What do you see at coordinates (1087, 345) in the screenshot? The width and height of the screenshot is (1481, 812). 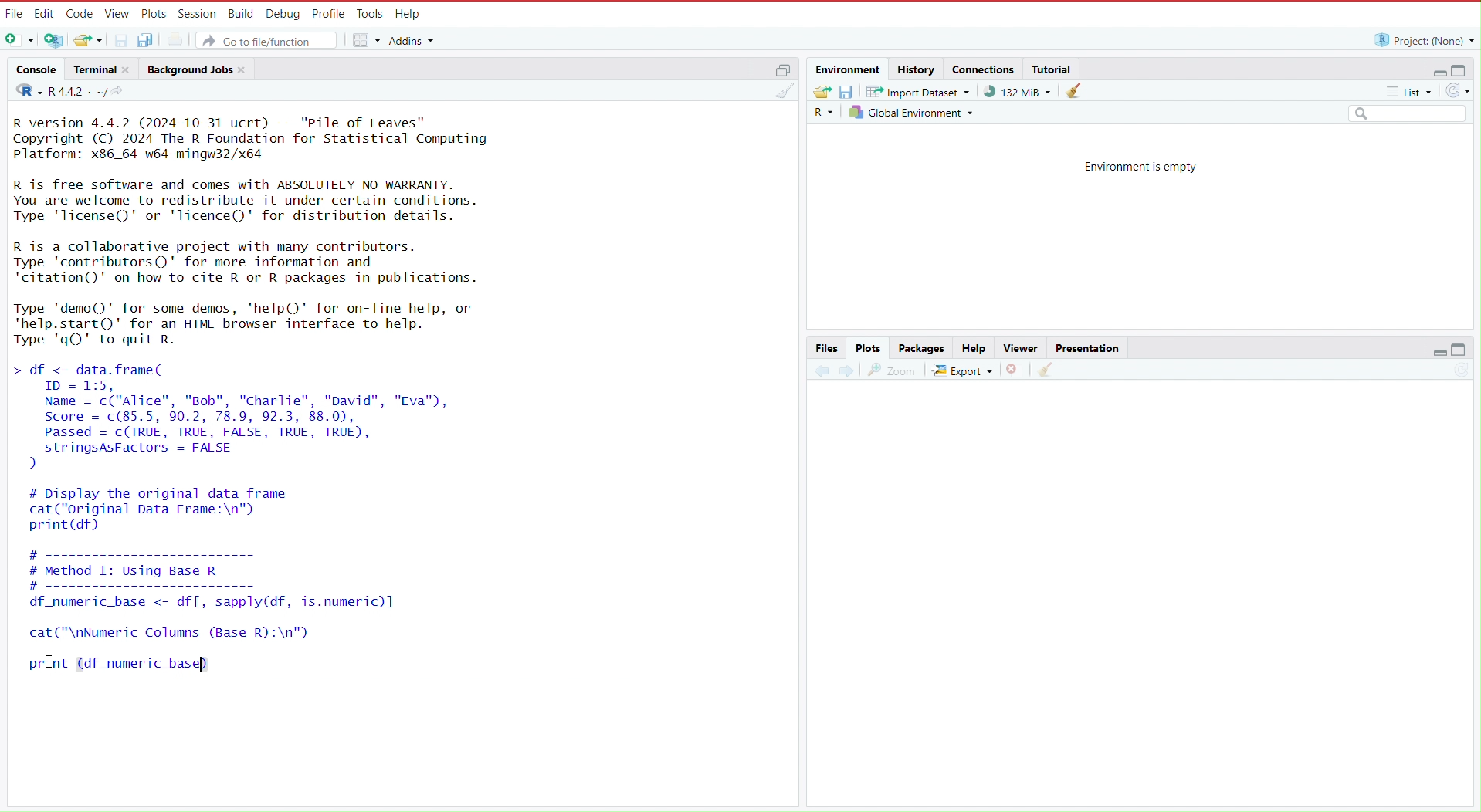 I see `Presentation` at bounding box center [1087, 345].